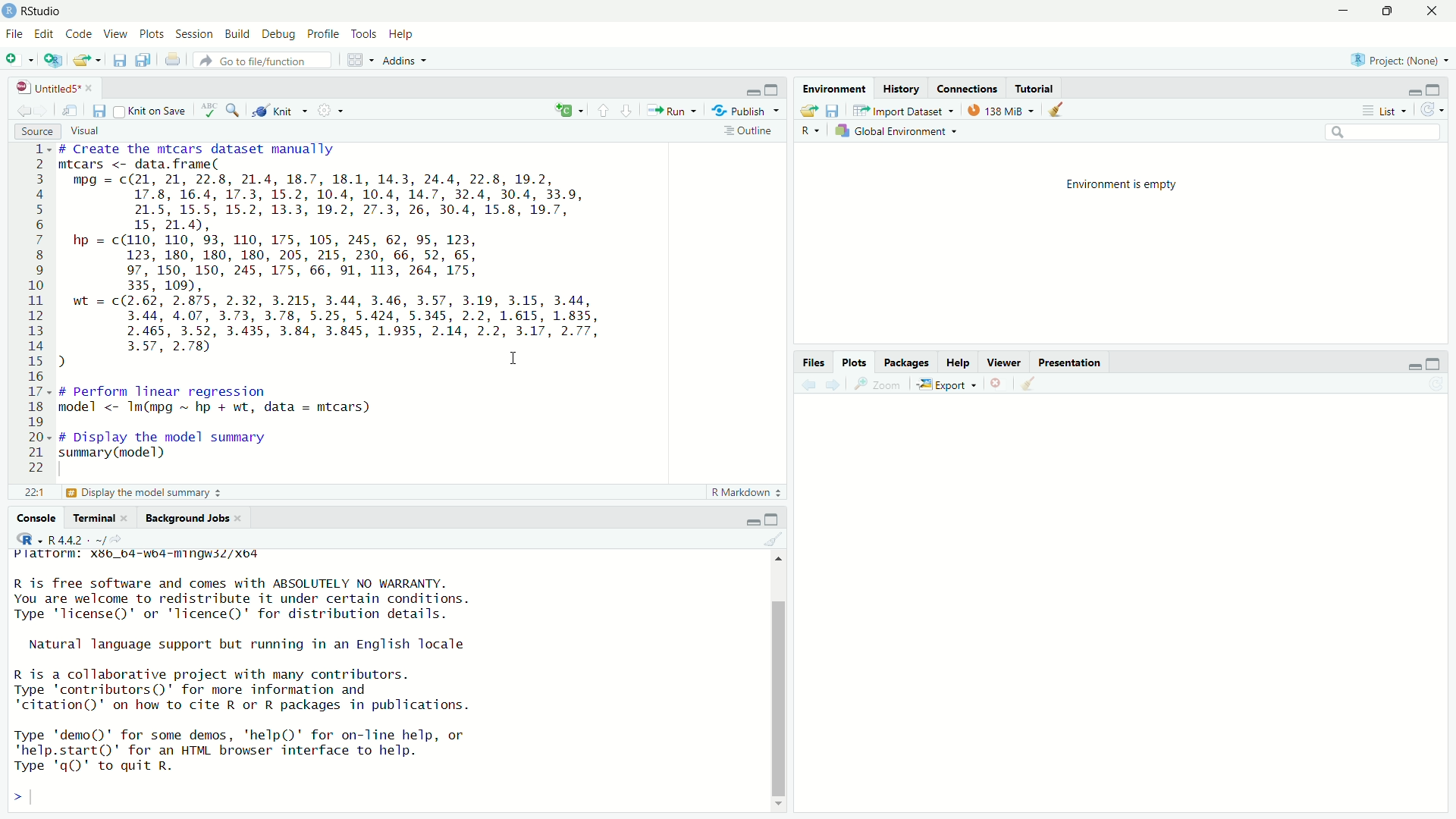  I want to click on knit, so click(276, 111).